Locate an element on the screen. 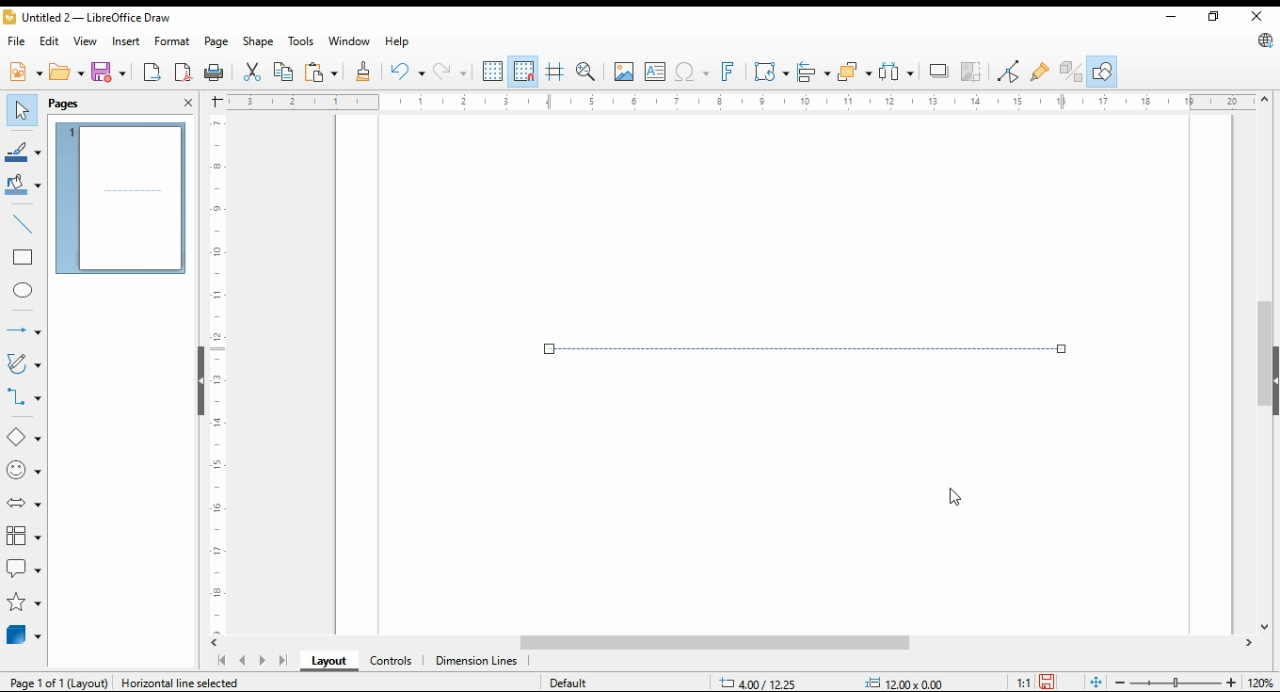 This screenshot has height=692, width=1280. stars and banners is located at coordinates (24, 602).